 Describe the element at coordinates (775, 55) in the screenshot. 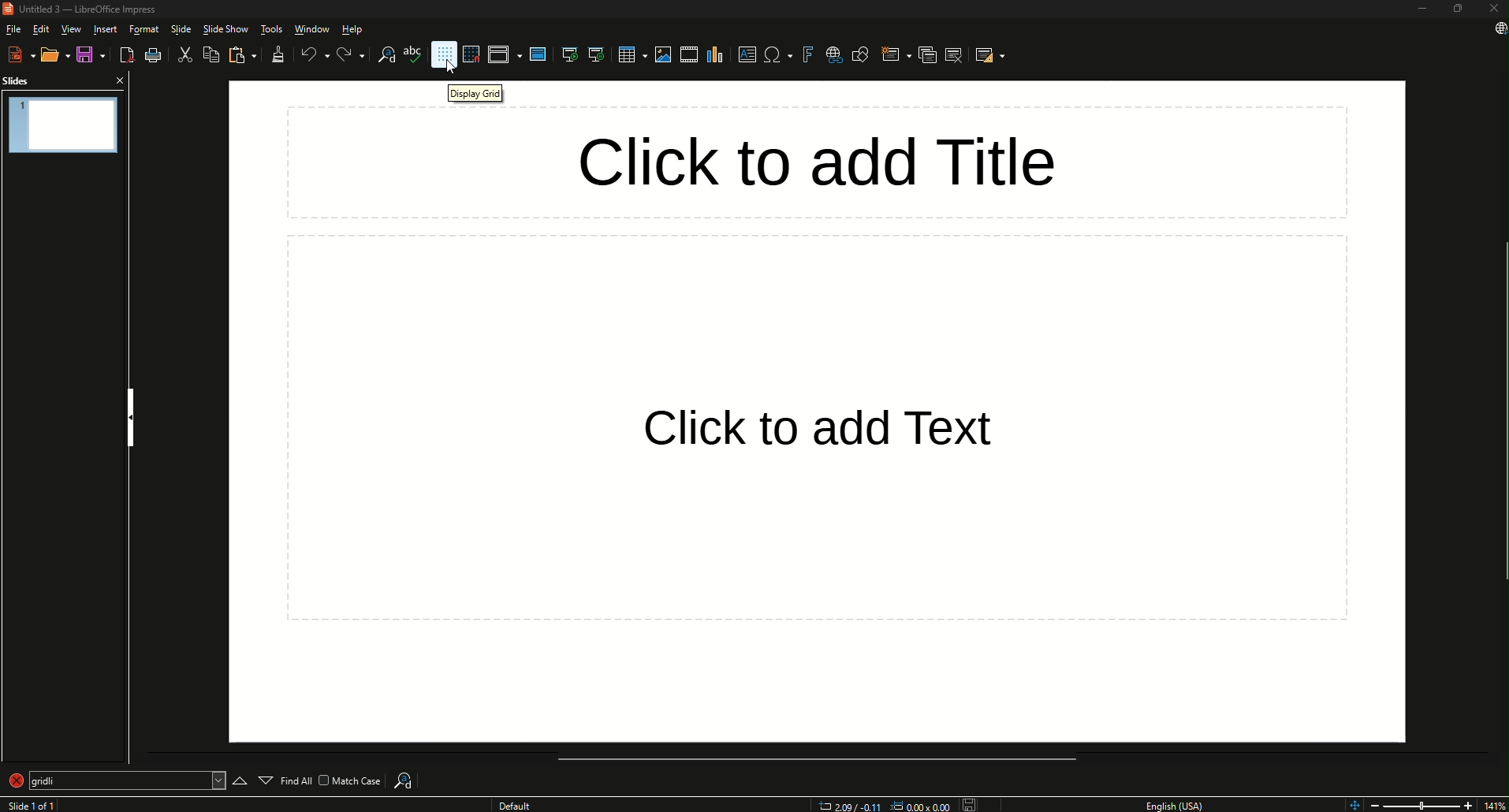

I see `Insert special characters` at that location.